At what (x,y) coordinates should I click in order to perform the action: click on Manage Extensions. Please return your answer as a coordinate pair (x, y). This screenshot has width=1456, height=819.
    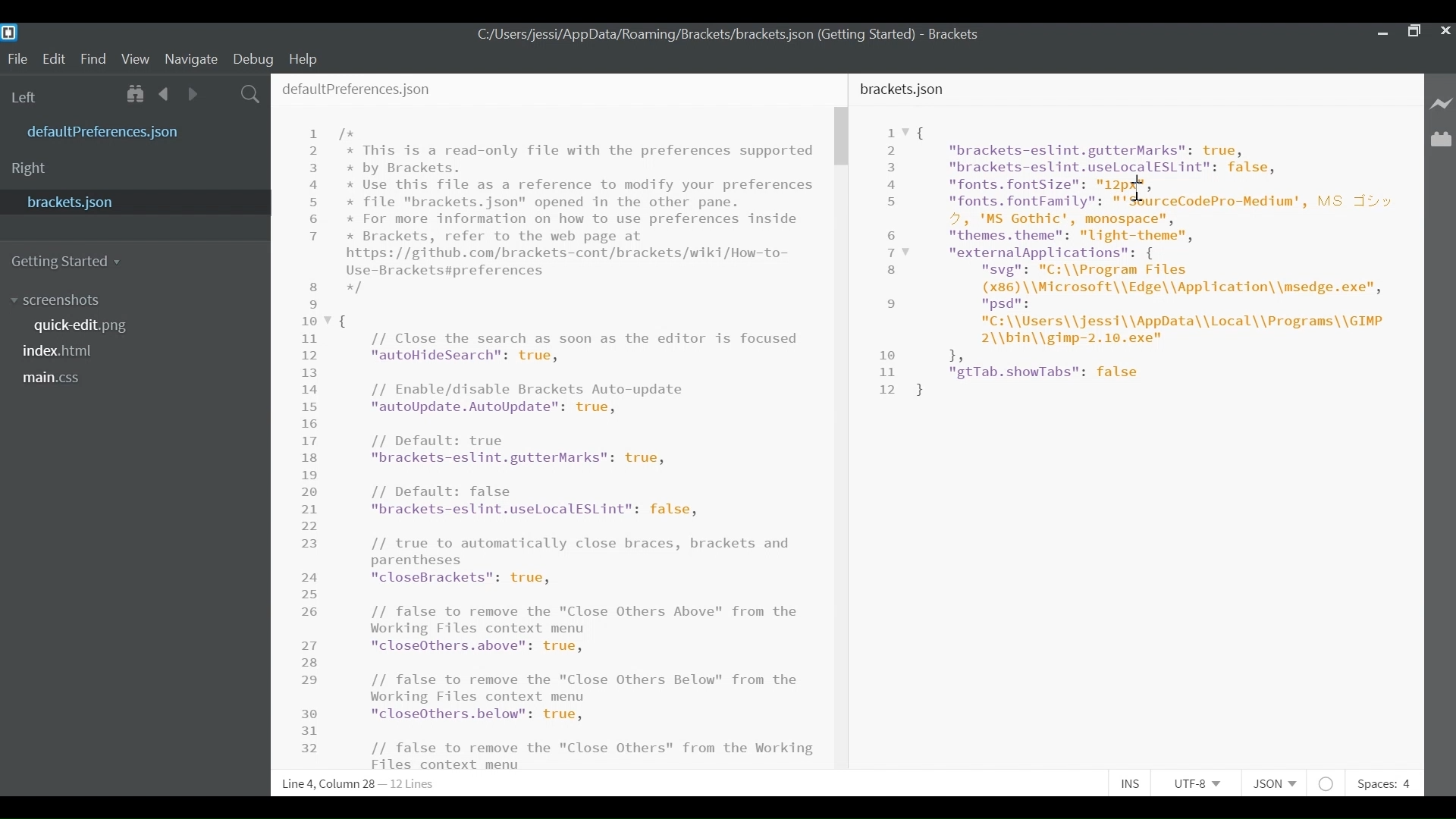
    Looking at the image, I should click on (1441, 140).